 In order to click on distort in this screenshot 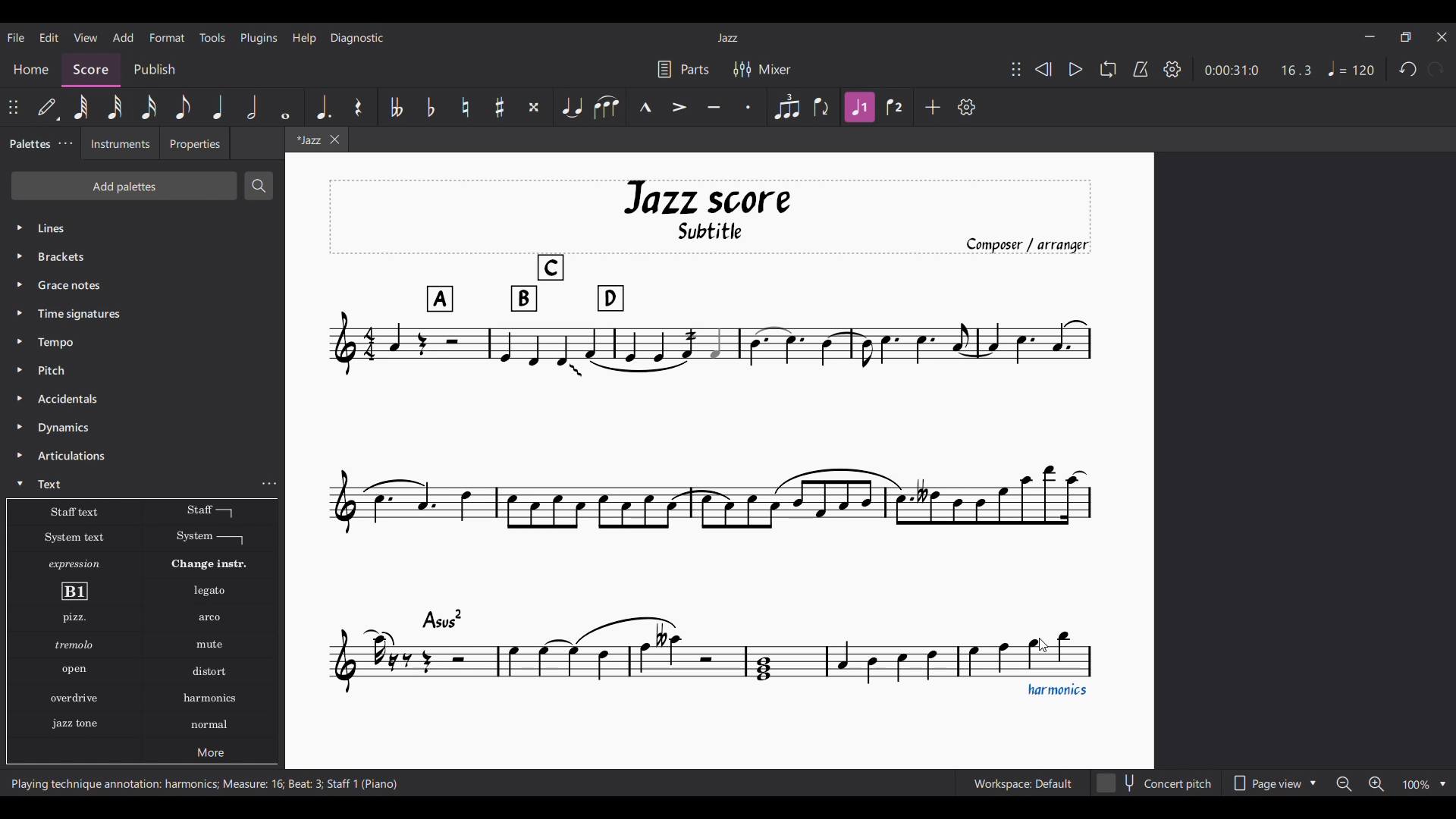, I will do `click(209, 671)`.